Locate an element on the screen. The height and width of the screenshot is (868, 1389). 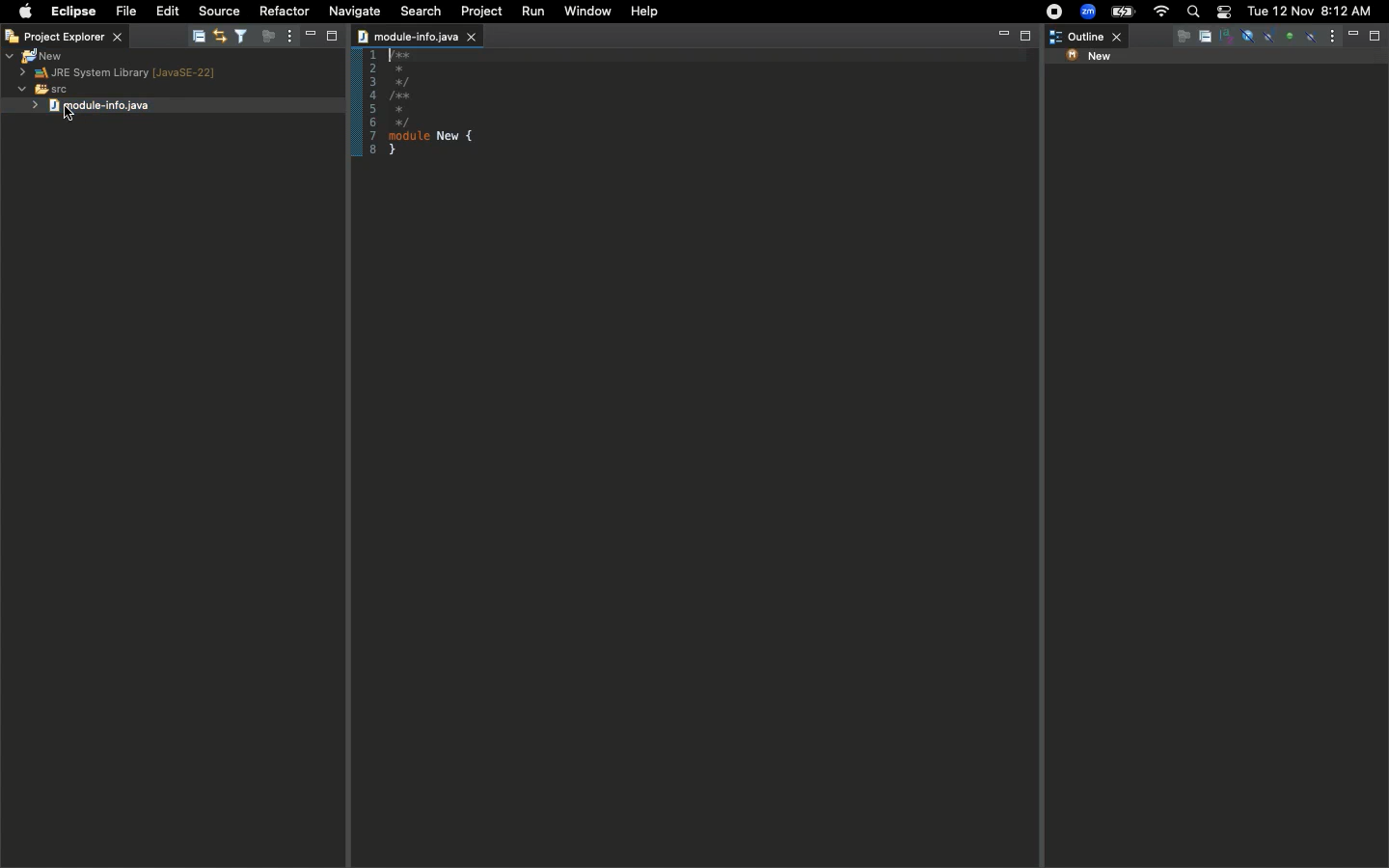
Minimize is located at coordinates (307, 36).